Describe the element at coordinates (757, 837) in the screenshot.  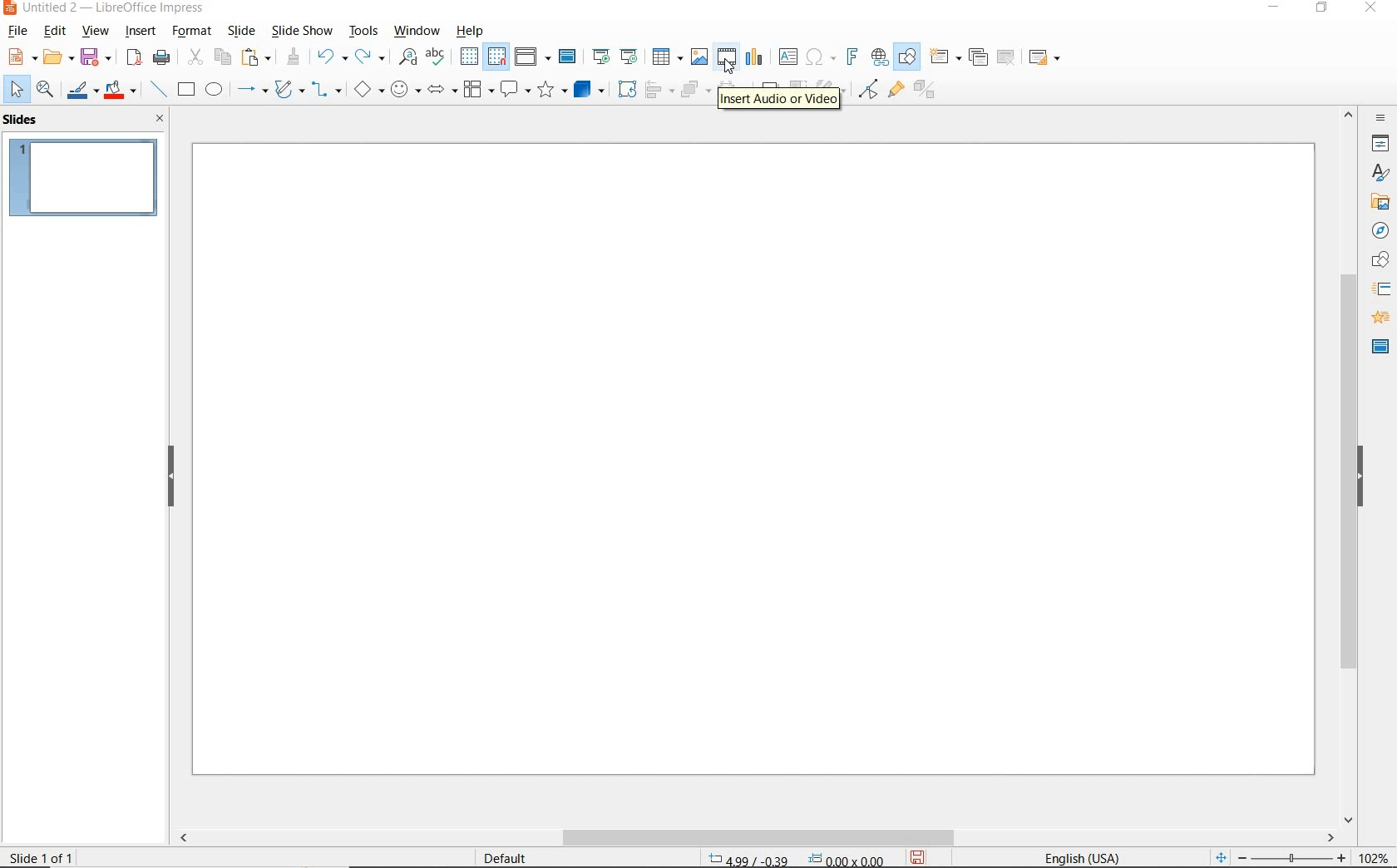
I see `SCROLL BAR` at that location.